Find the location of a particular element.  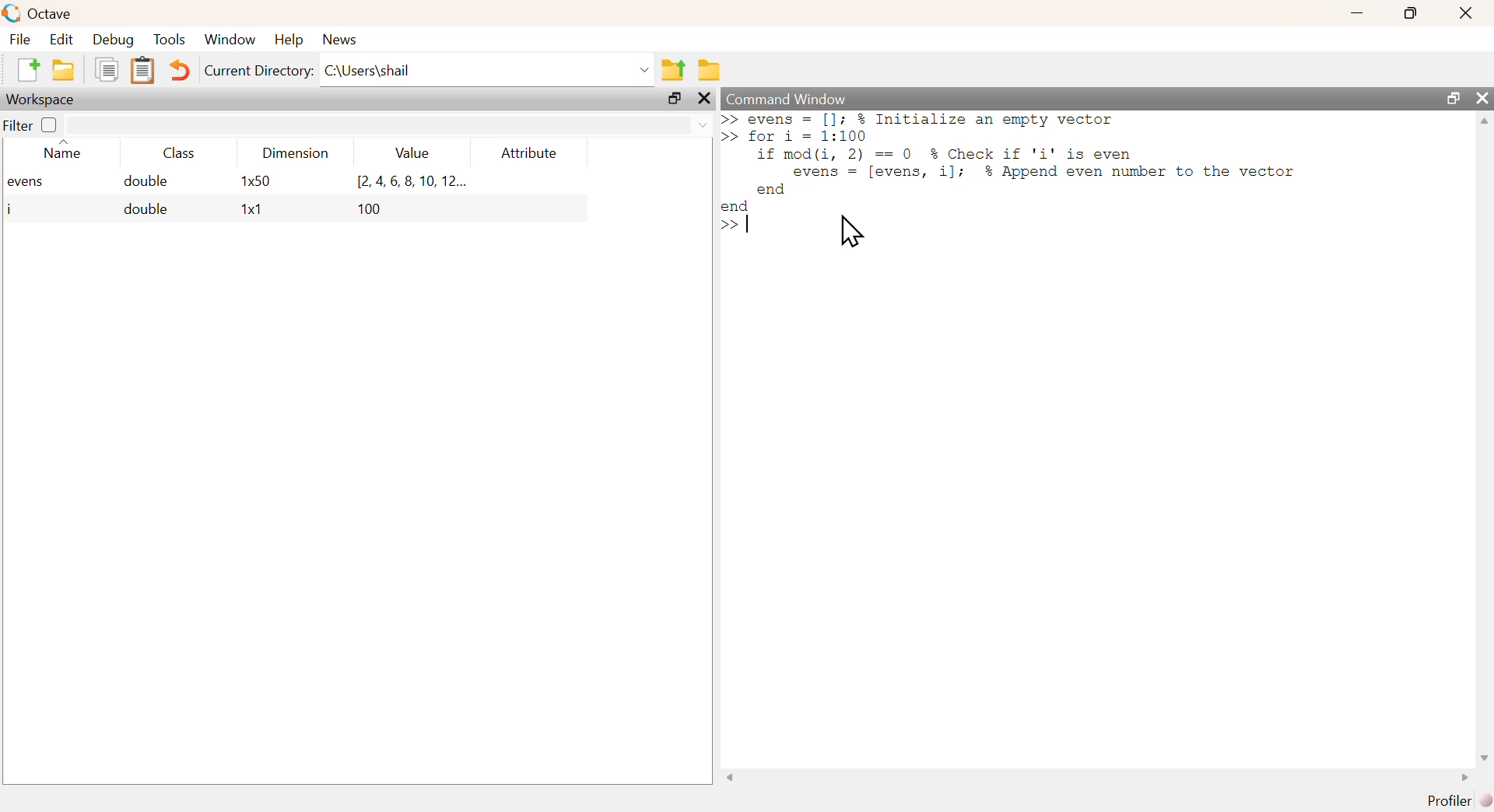

evens is located at coordinates (32, 184).